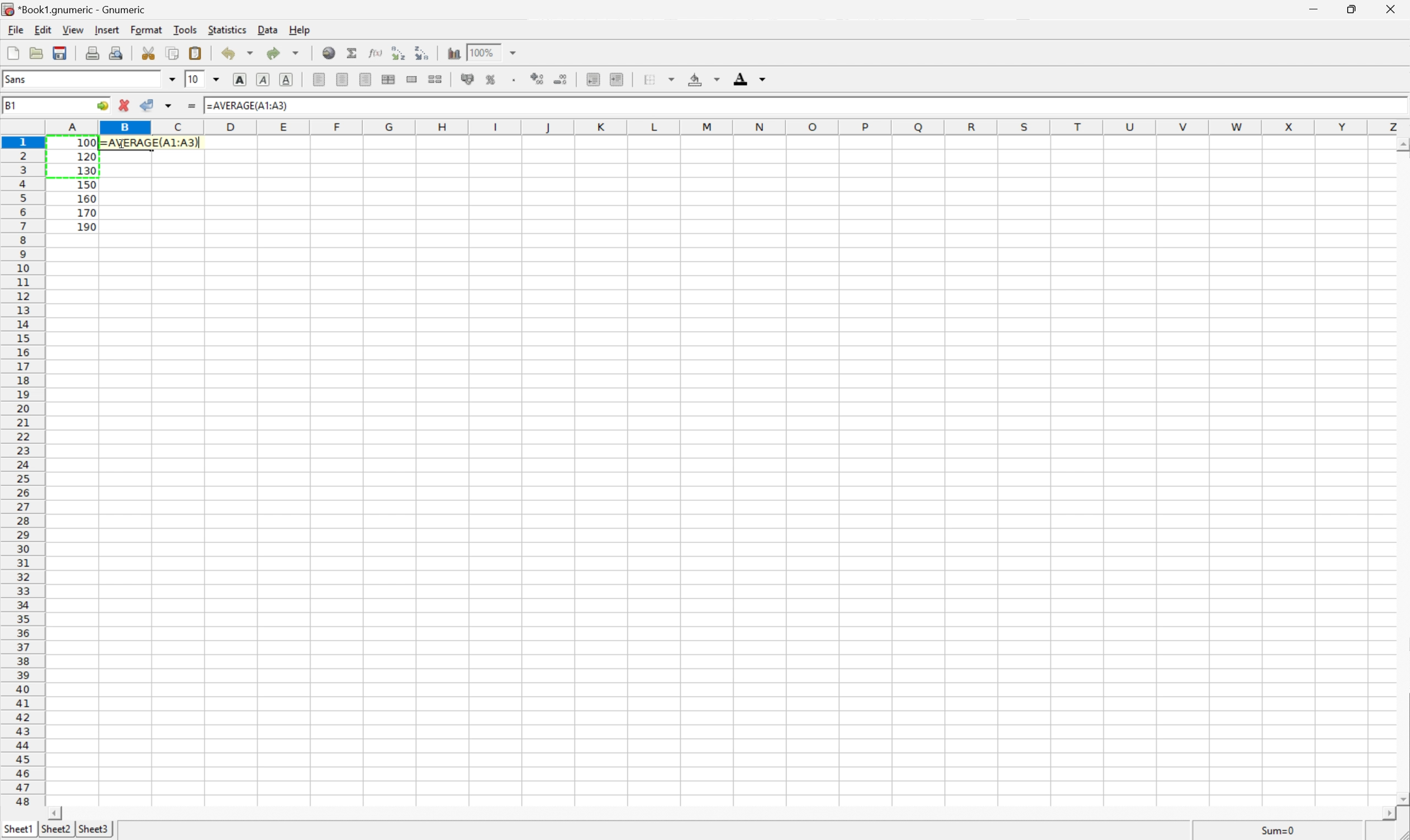 The height and width of the screenshot is (840, 1410). I want to click on Go to, so click(103, 106).